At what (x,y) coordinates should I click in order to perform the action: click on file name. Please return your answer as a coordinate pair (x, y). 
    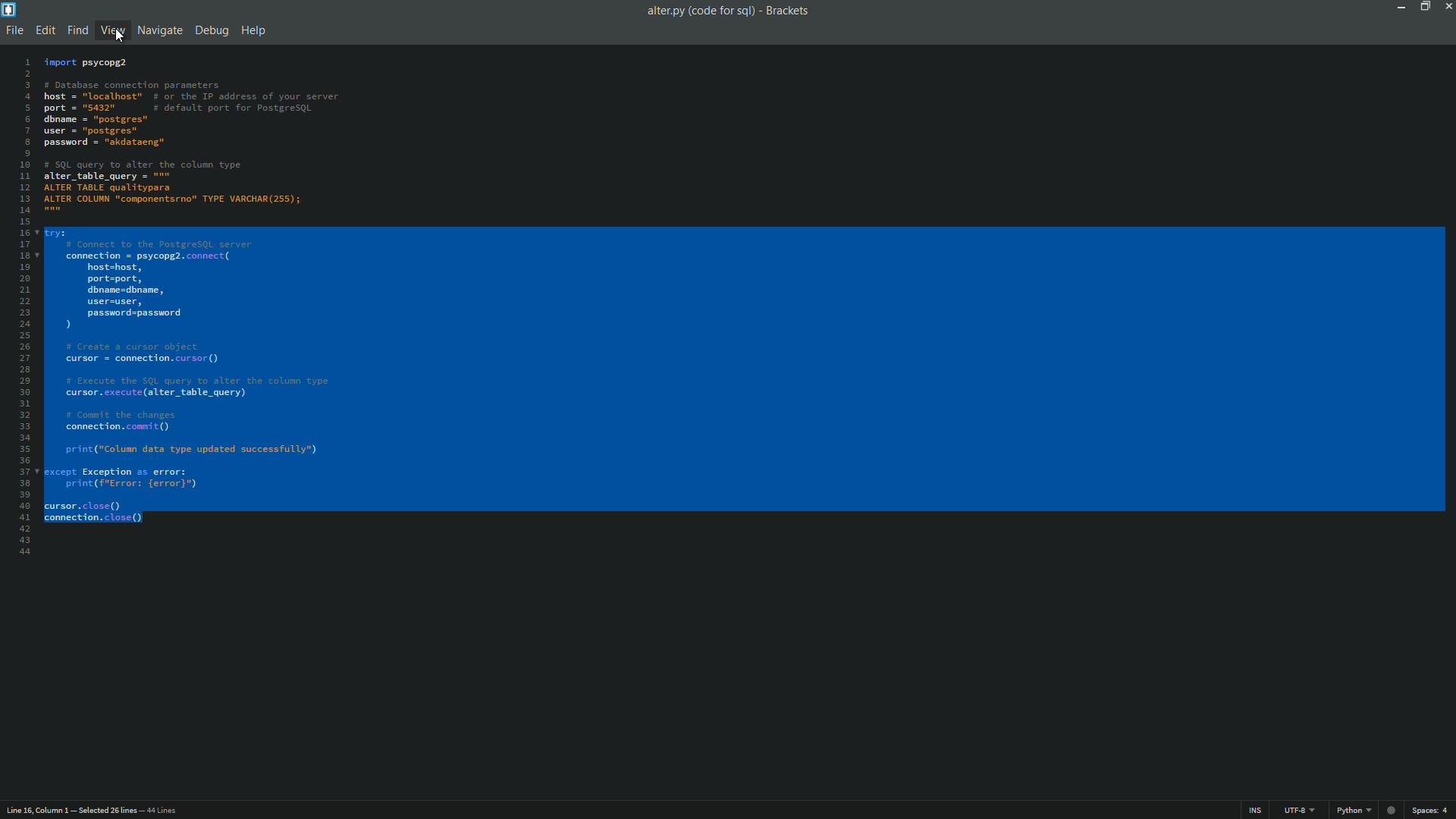
    Looking at the image, I should click on (700, 11).